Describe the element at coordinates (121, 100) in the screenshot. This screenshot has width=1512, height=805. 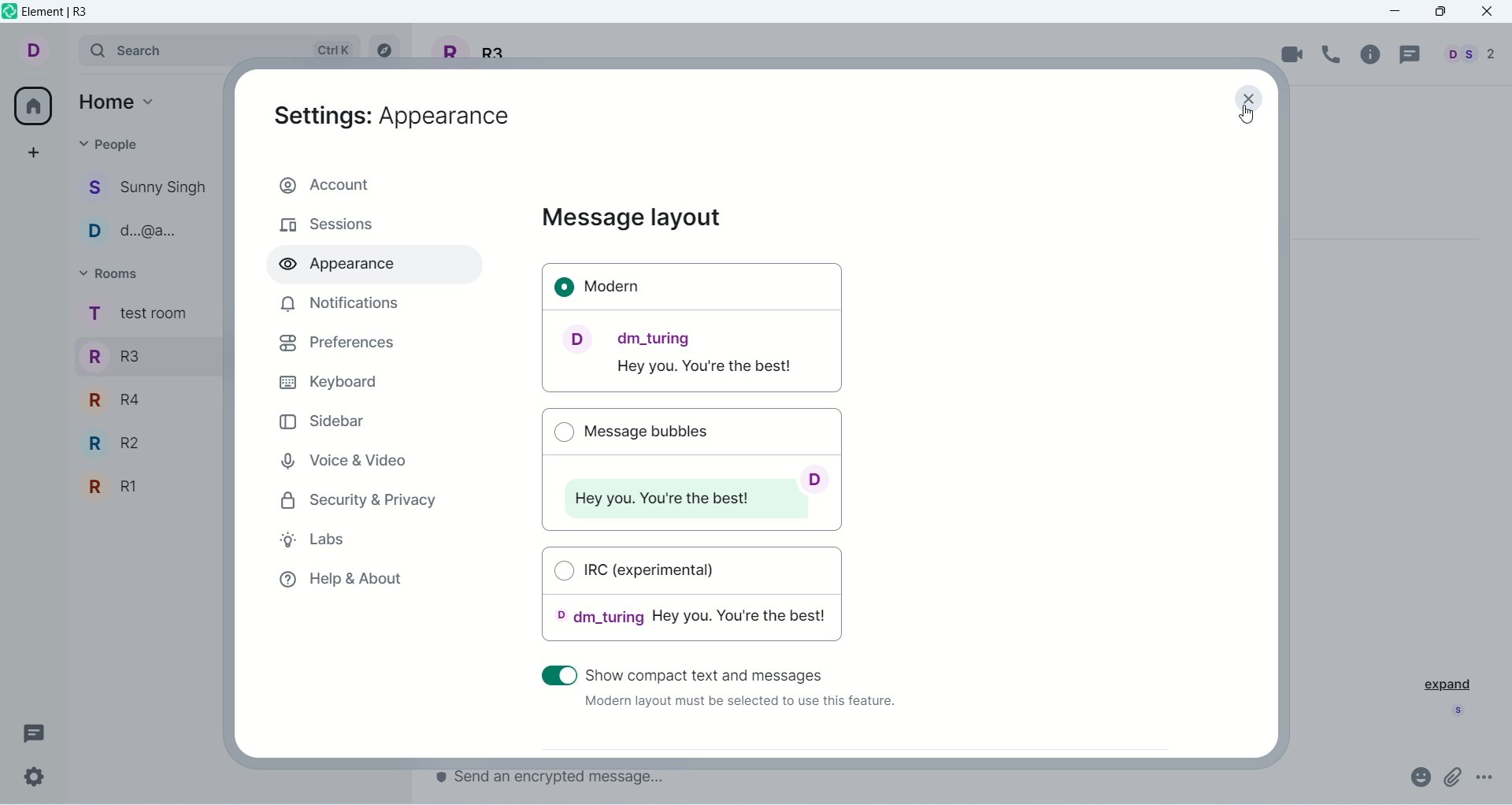
I see `home` at that location.